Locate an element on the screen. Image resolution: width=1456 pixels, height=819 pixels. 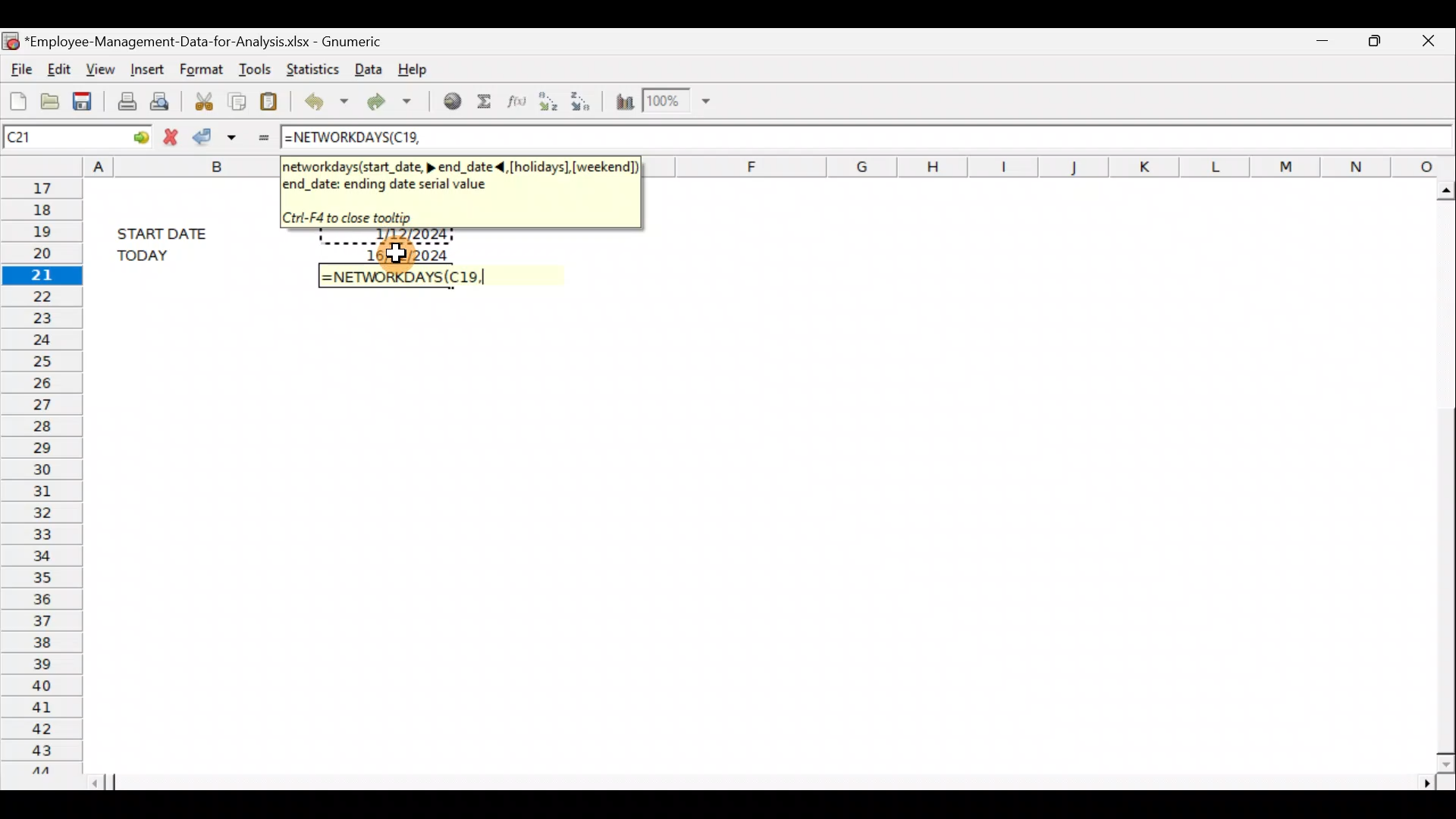
Zoom is located at coordinates (679, 102).